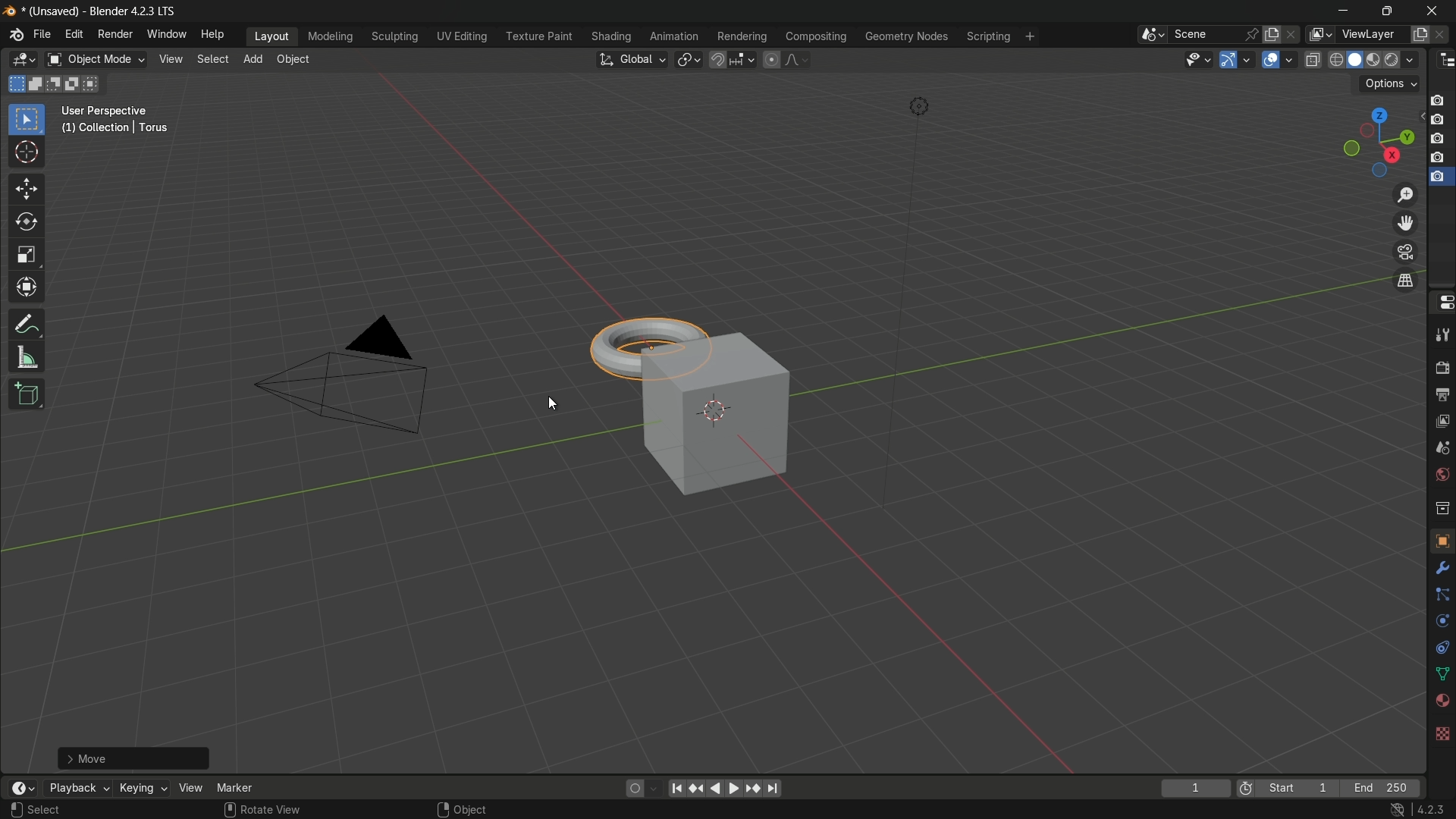 The width and height of the screenshot is (1456, 819). What do you see at coordinates (97, 12) in the screenshot?
I see `(Unsaved) - Blender 4.2.3 LTS` at bounding box center [97, 12].